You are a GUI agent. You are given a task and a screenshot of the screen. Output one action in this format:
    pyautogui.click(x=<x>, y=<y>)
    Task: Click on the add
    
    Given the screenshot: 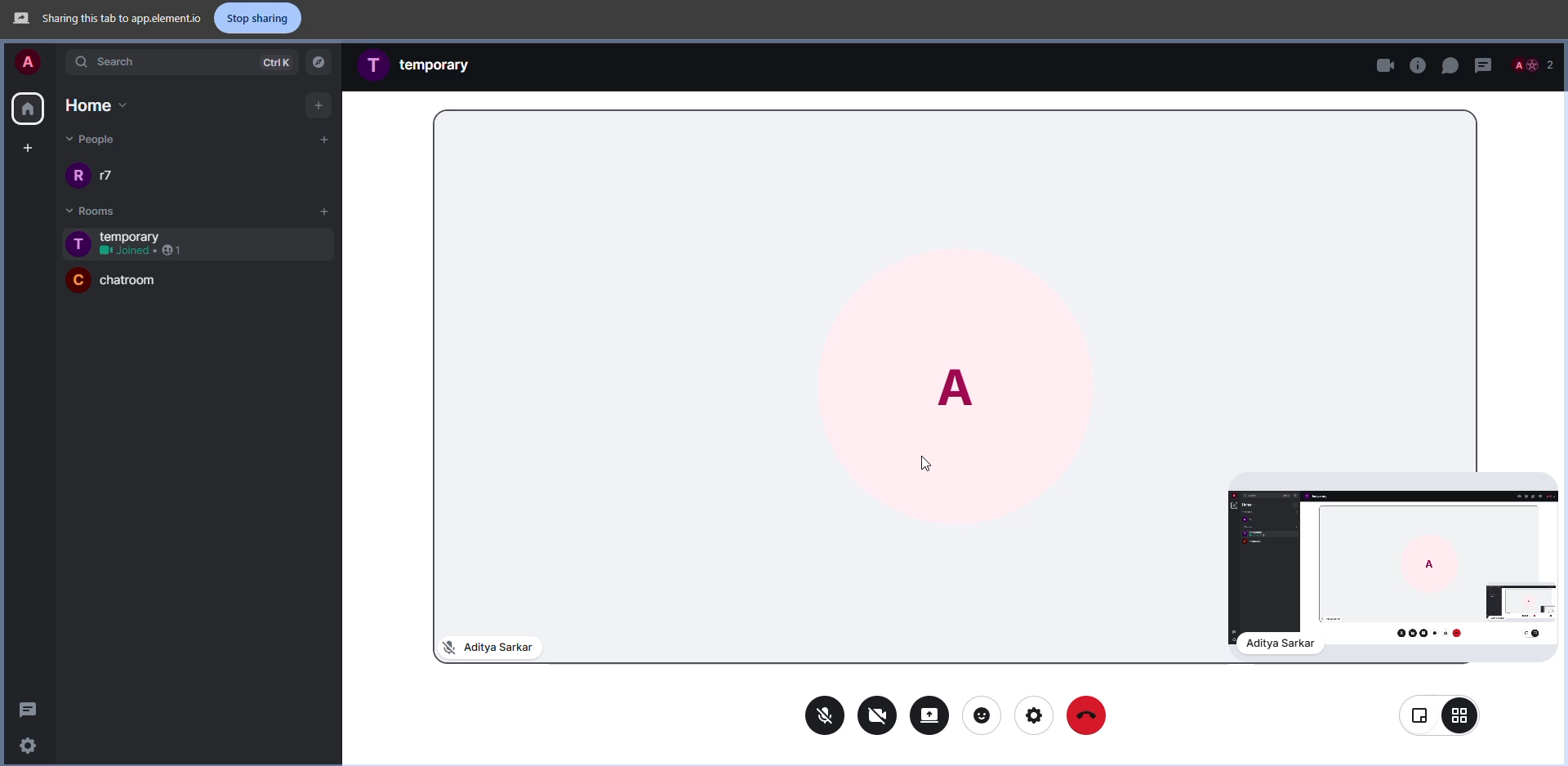 What is the action you would take?
    pyautogui.click(x=326, y=208)
    